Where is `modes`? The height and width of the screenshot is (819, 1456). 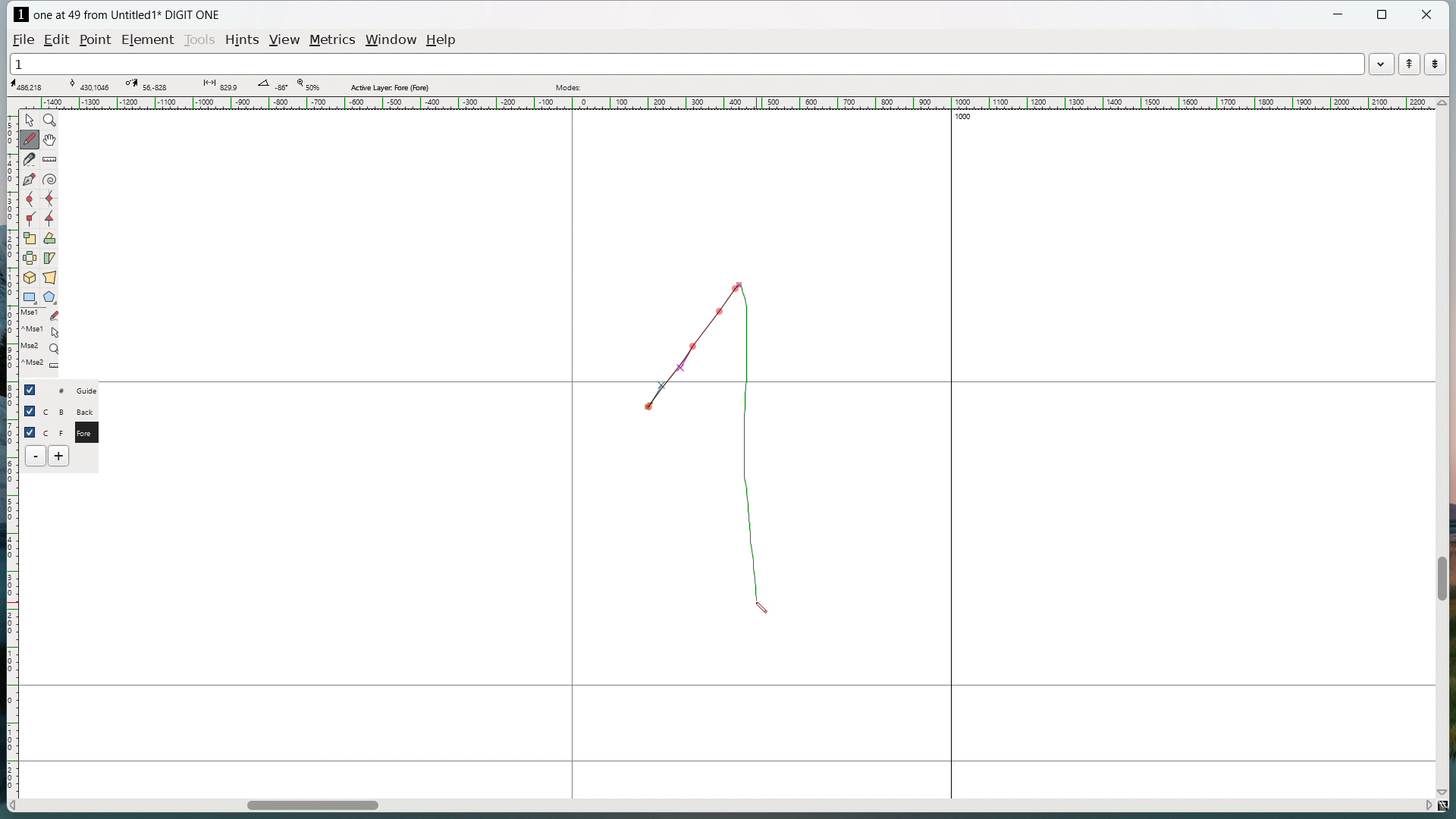
modes is located at coordinates (570, 87).